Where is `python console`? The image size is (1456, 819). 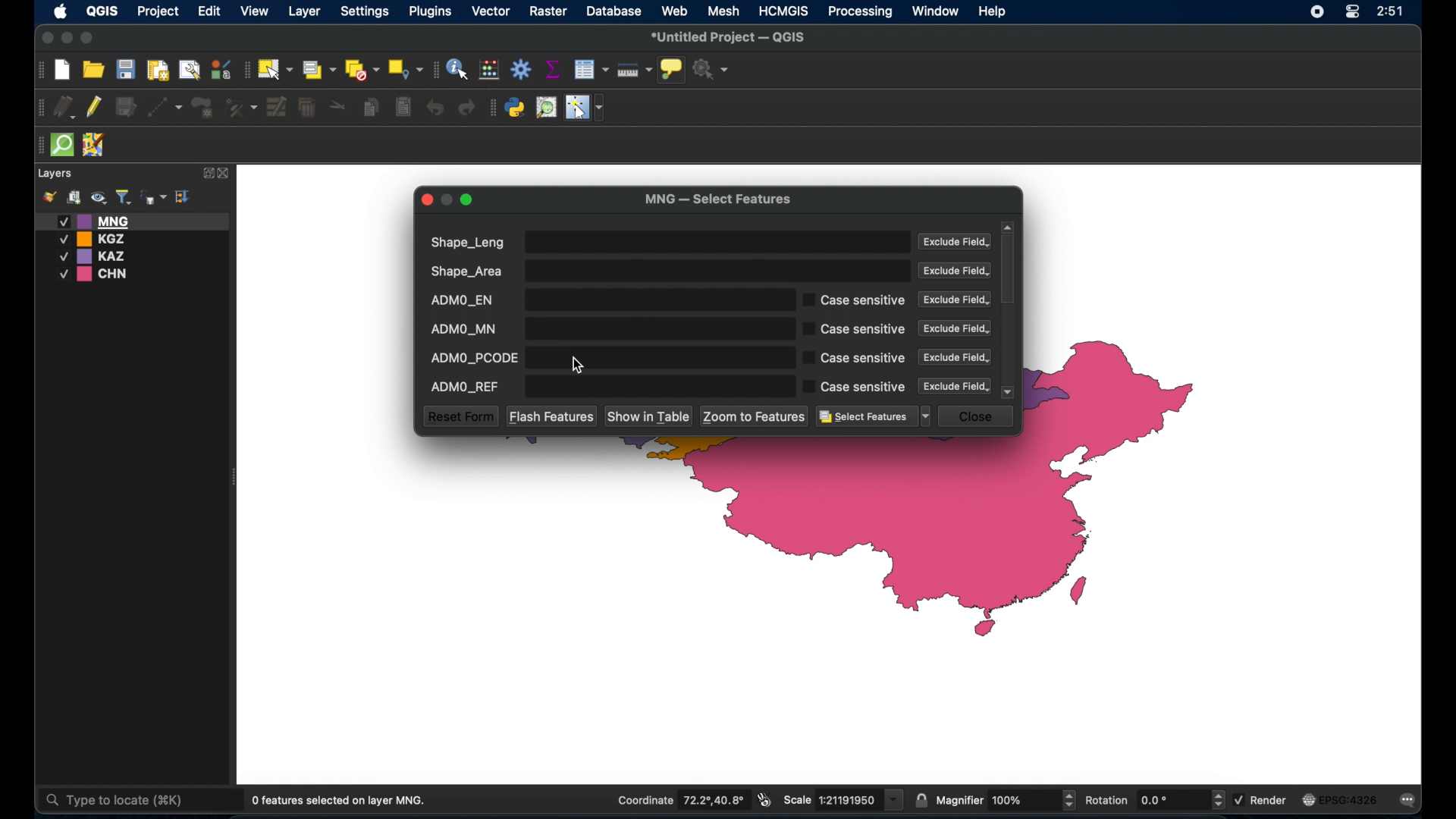 python console is located at coordinates (516, 108).